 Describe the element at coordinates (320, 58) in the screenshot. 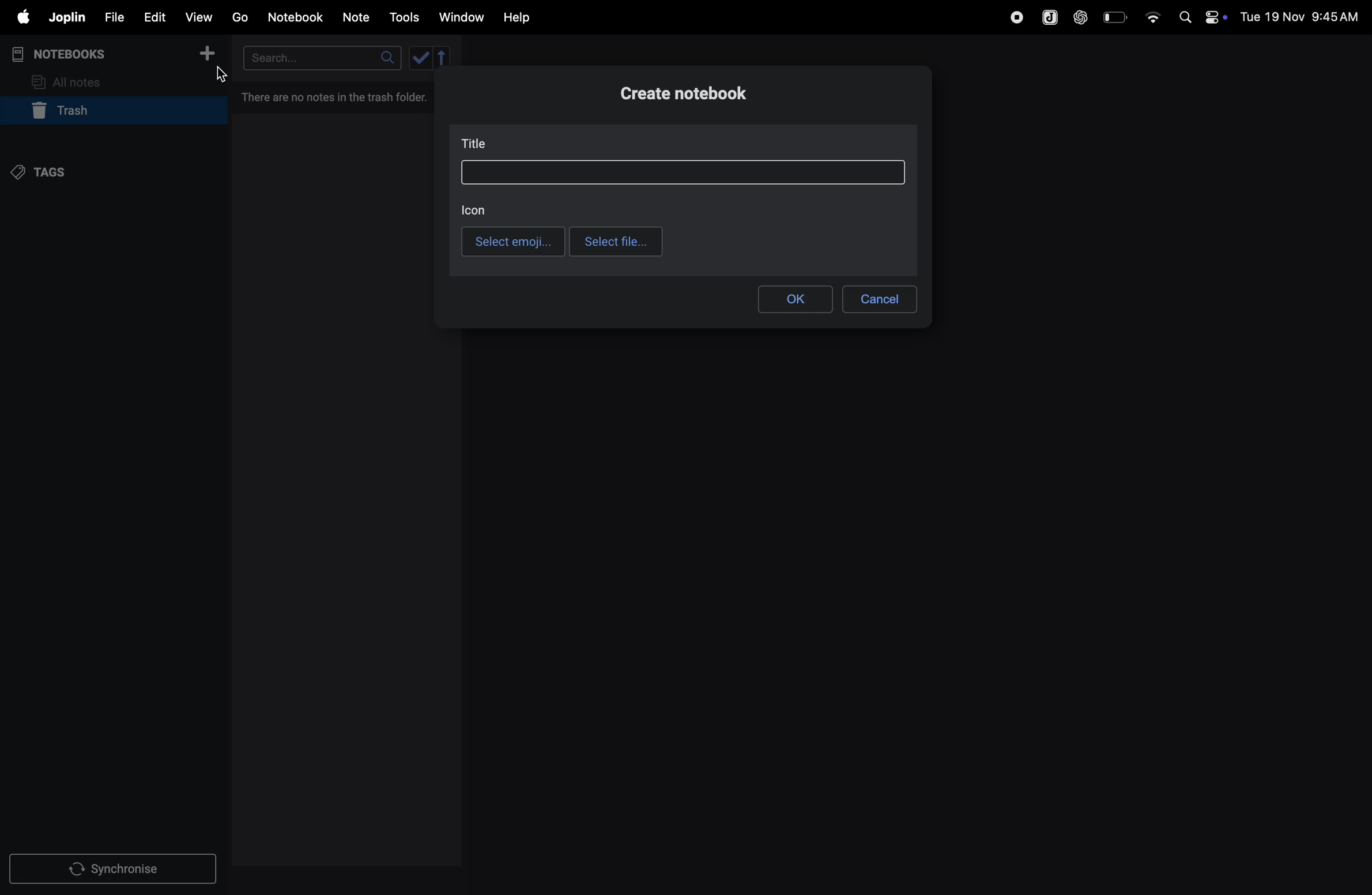

I see `search` at that location.